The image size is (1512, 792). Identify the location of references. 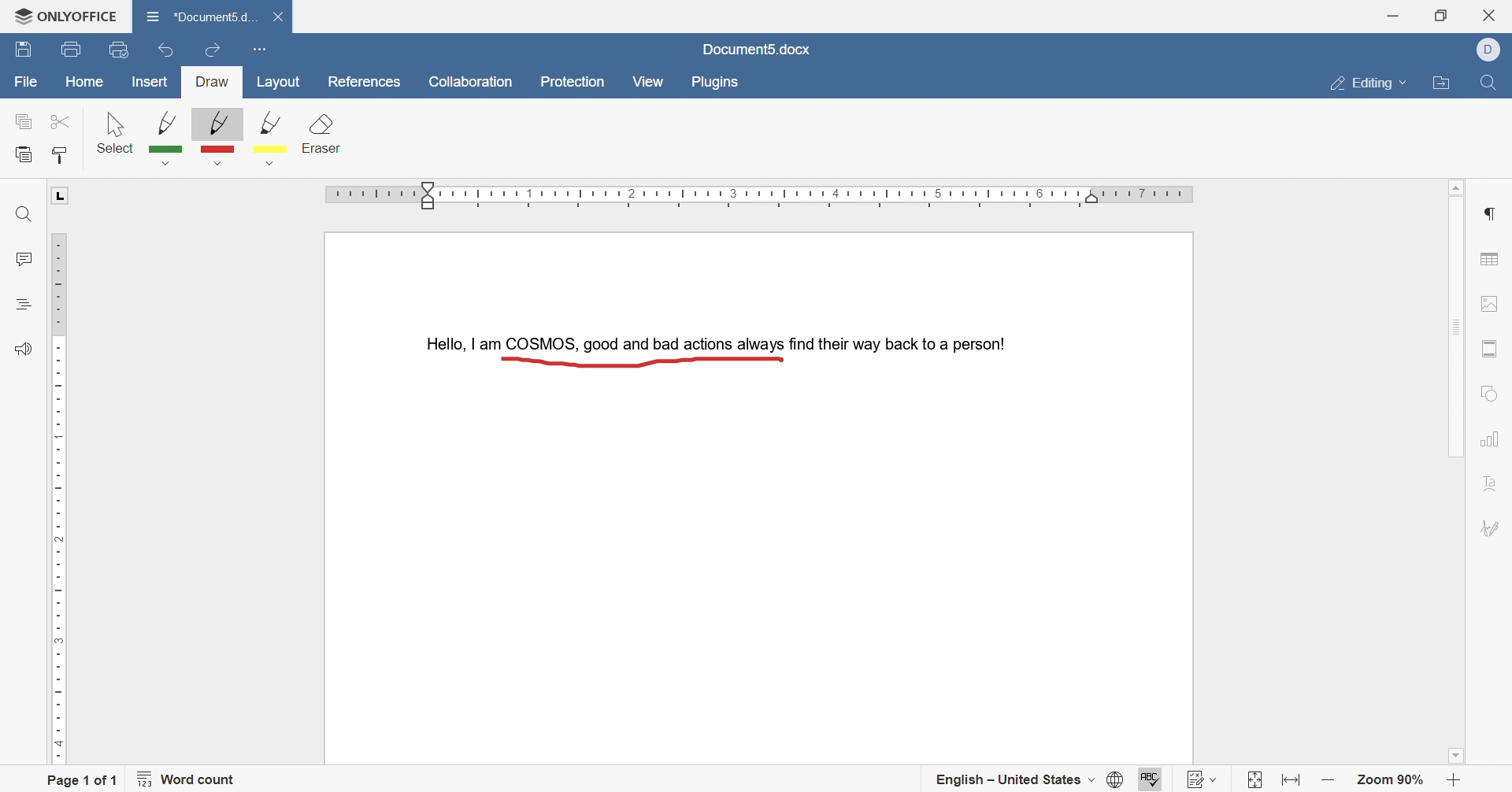
(362, 82).